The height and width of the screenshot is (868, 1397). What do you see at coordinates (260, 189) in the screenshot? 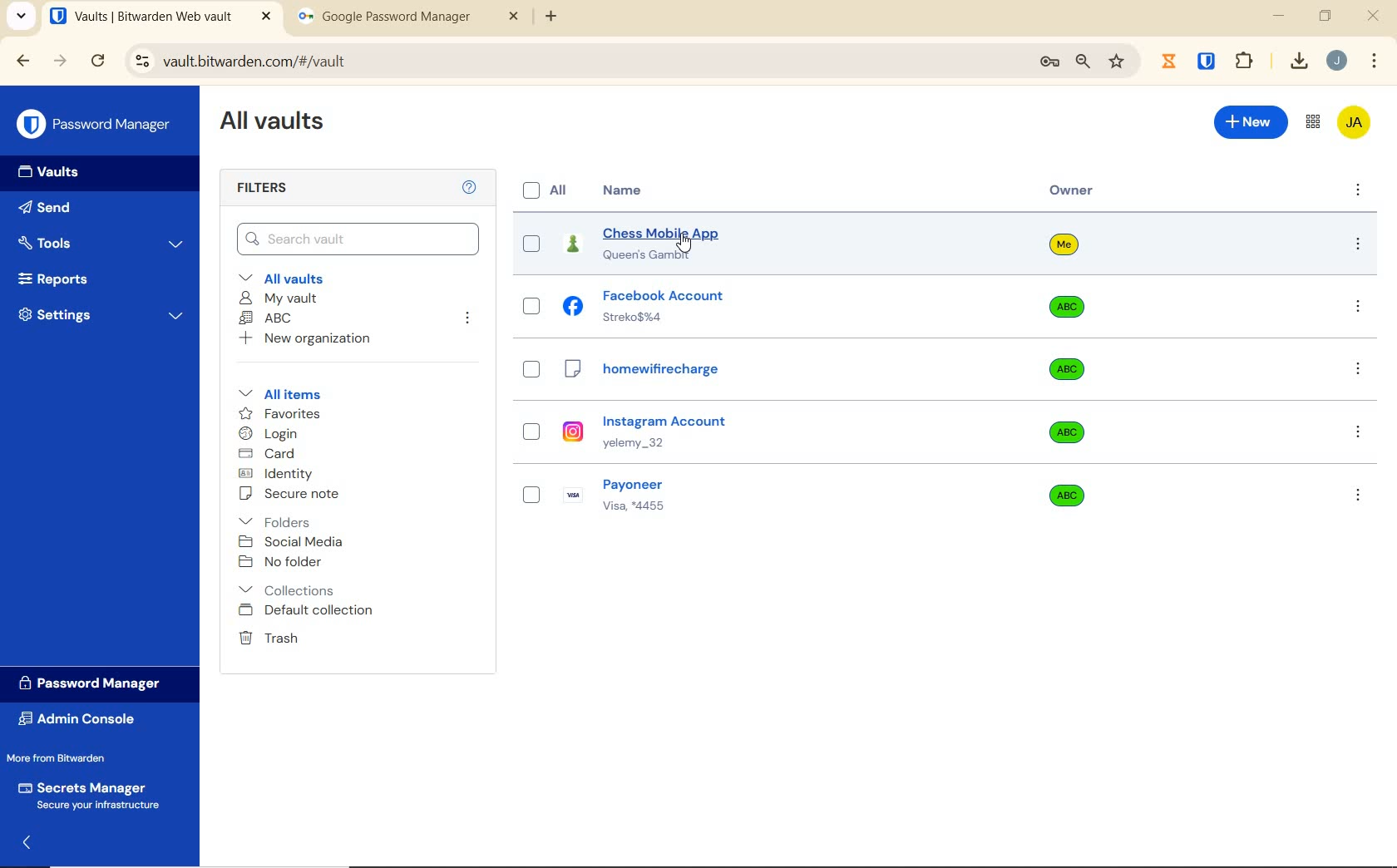
I see `Filters` at bounding box center [260, 189].